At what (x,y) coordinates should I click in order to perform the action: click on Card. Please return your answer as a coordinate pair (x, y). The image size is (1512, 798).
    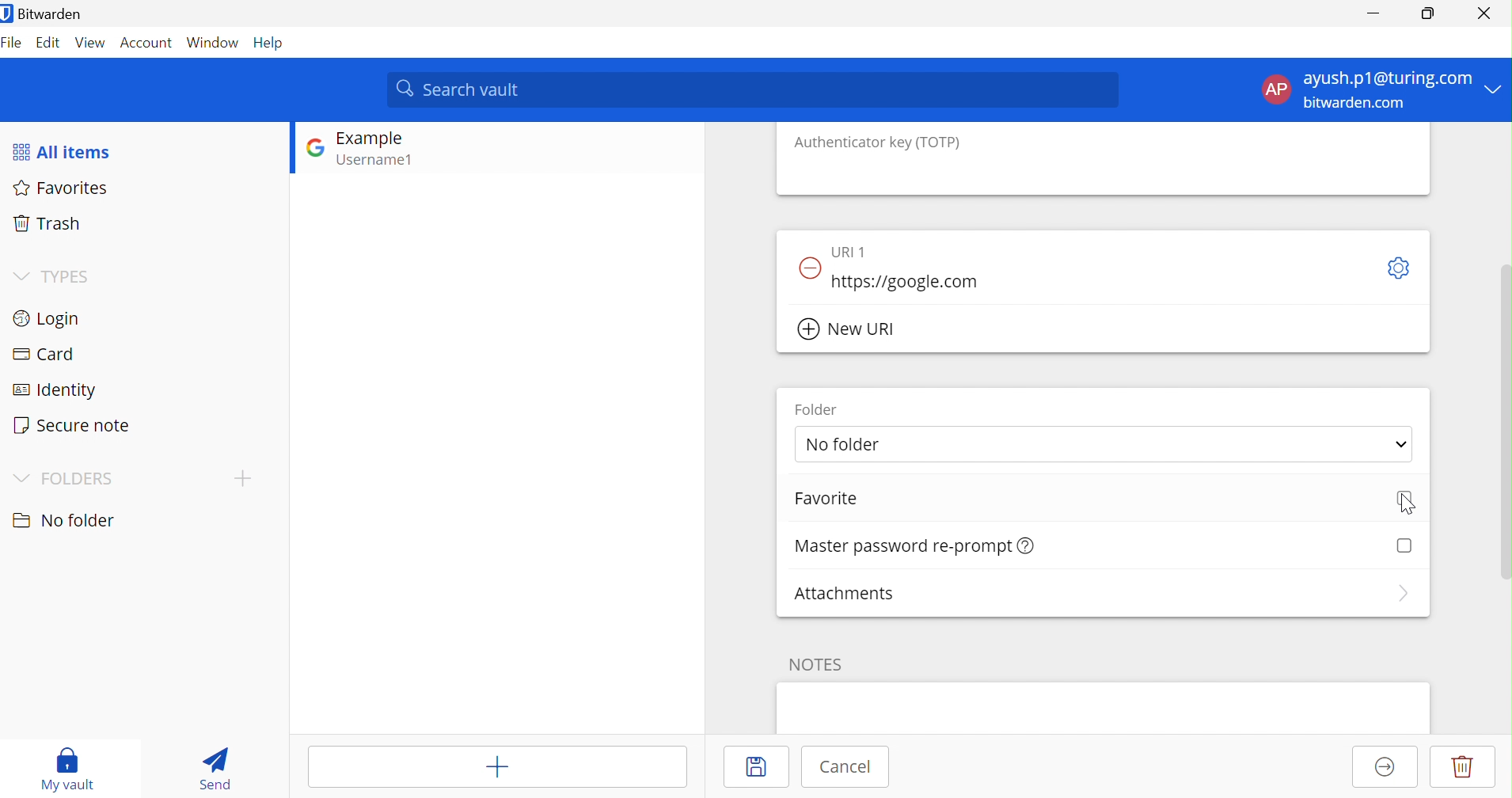
    Looking at the image, I should click on (44, 352).